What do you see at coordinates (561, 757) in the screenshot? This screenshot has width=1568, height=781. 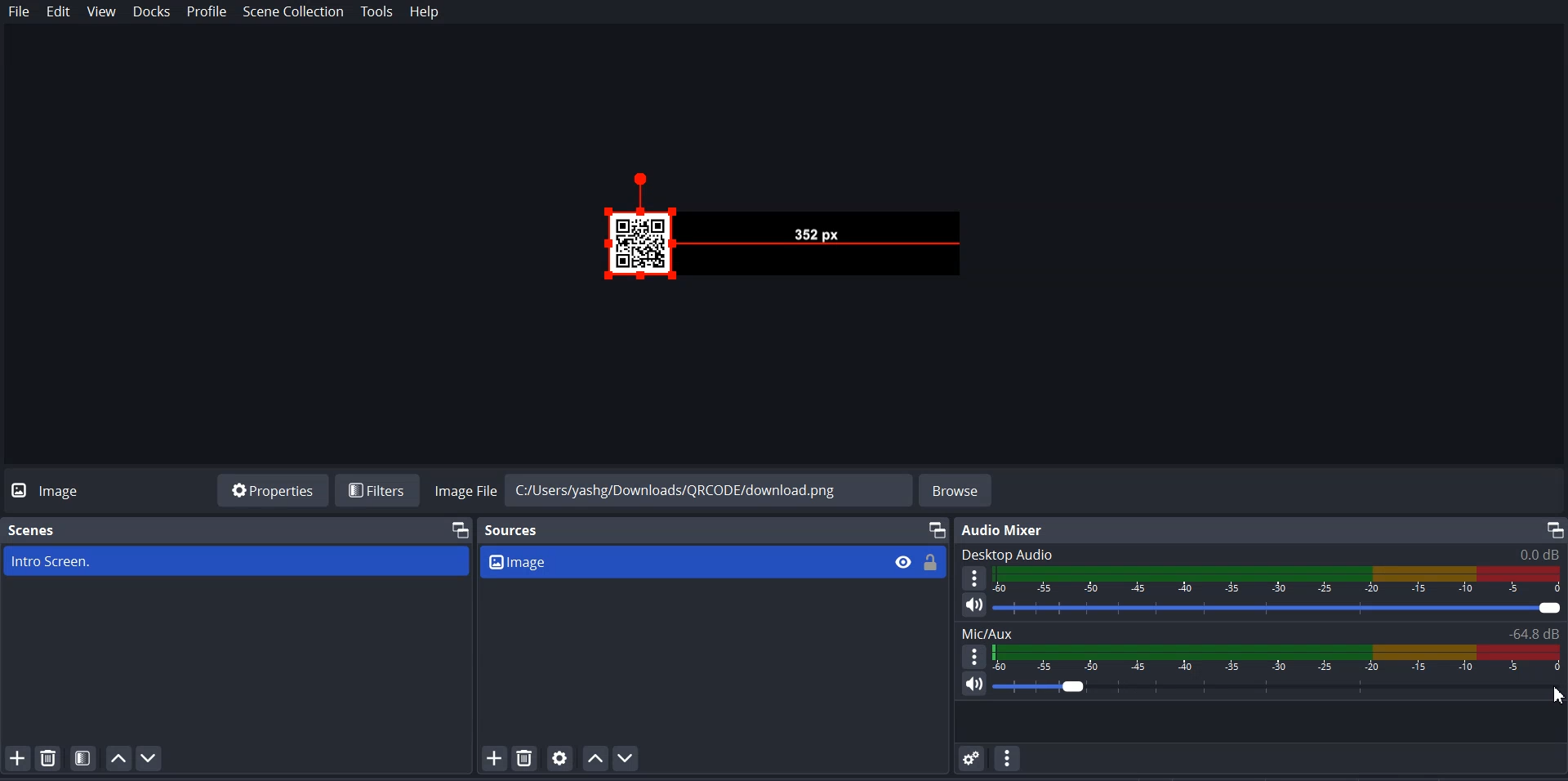 I see `Open source Properties` at bounding box center [561, 757].